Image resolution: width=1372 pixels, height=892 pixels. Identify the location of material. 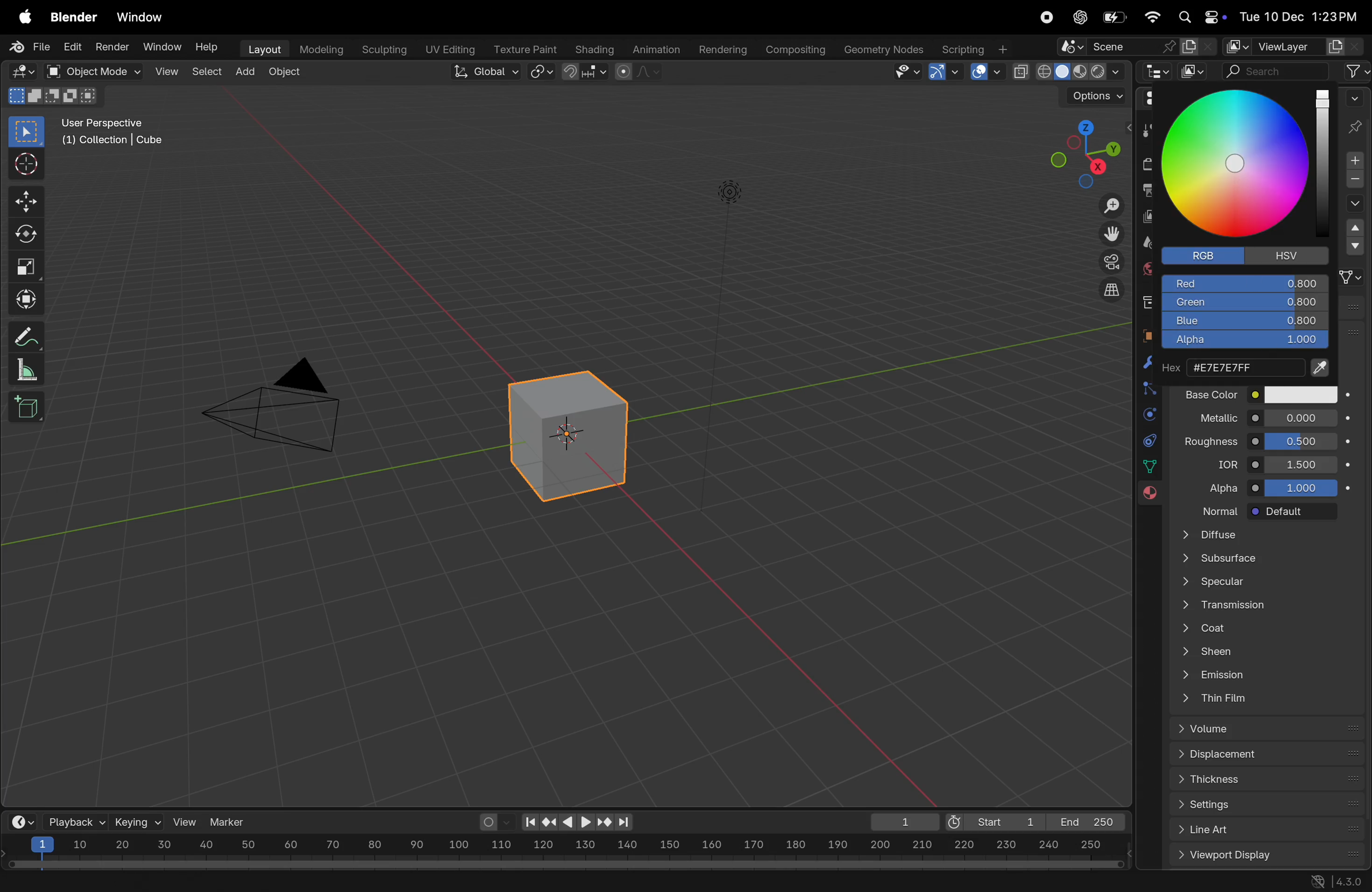
(1146, 495).